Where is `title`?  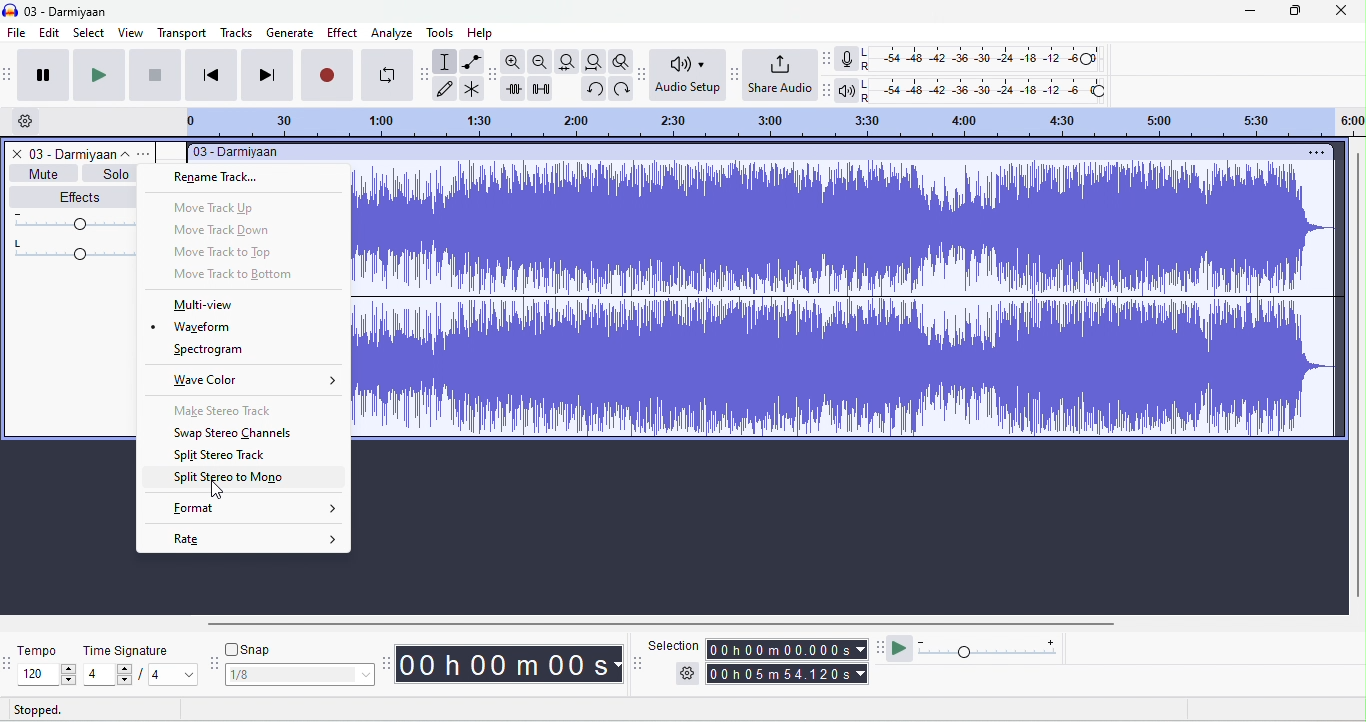
title is located at coordinates (236, 151).